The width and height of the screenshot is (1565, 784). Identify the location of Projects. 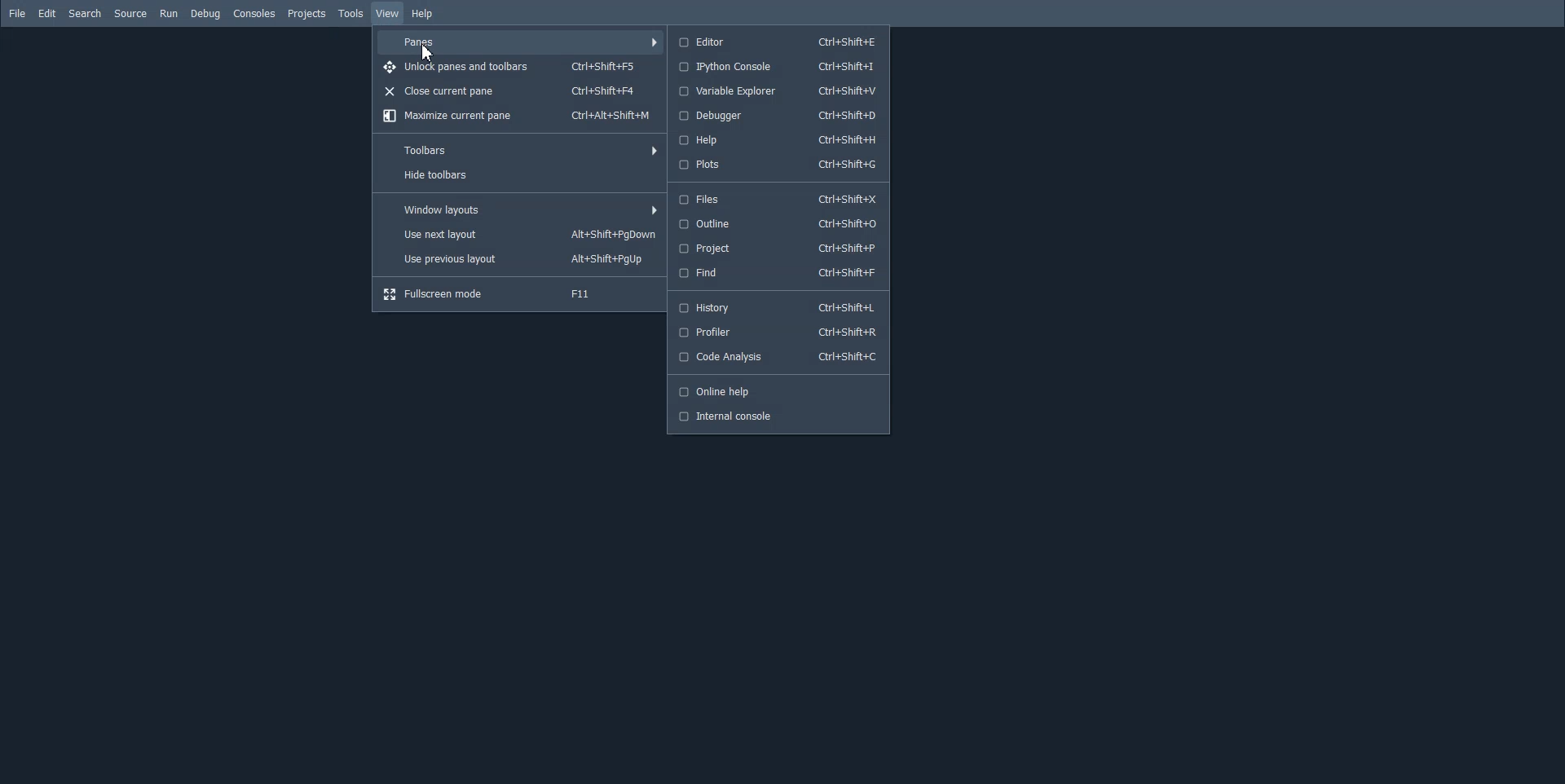
(306, 13).